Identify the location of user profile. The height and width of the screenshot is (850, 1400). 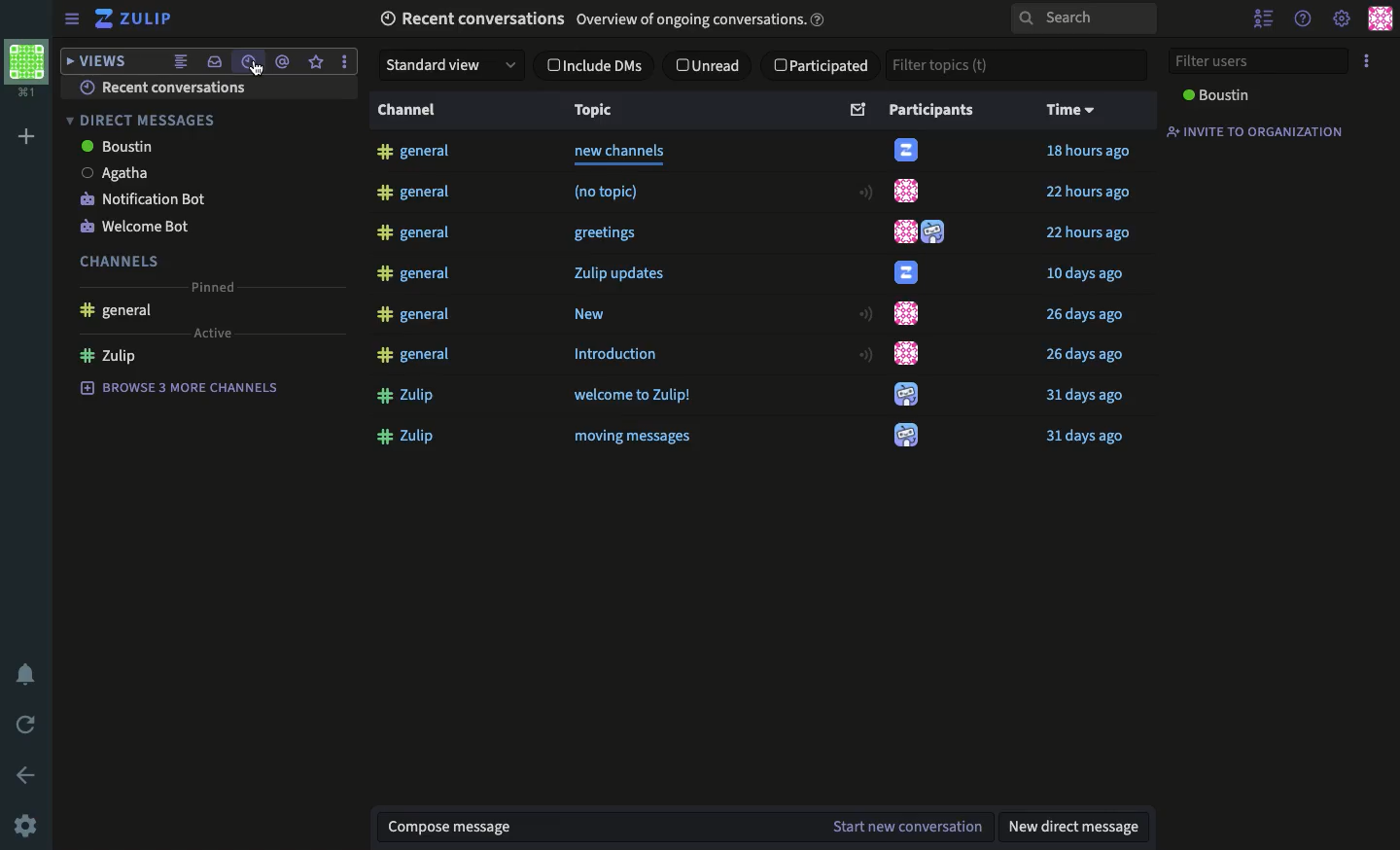
(908, 314).